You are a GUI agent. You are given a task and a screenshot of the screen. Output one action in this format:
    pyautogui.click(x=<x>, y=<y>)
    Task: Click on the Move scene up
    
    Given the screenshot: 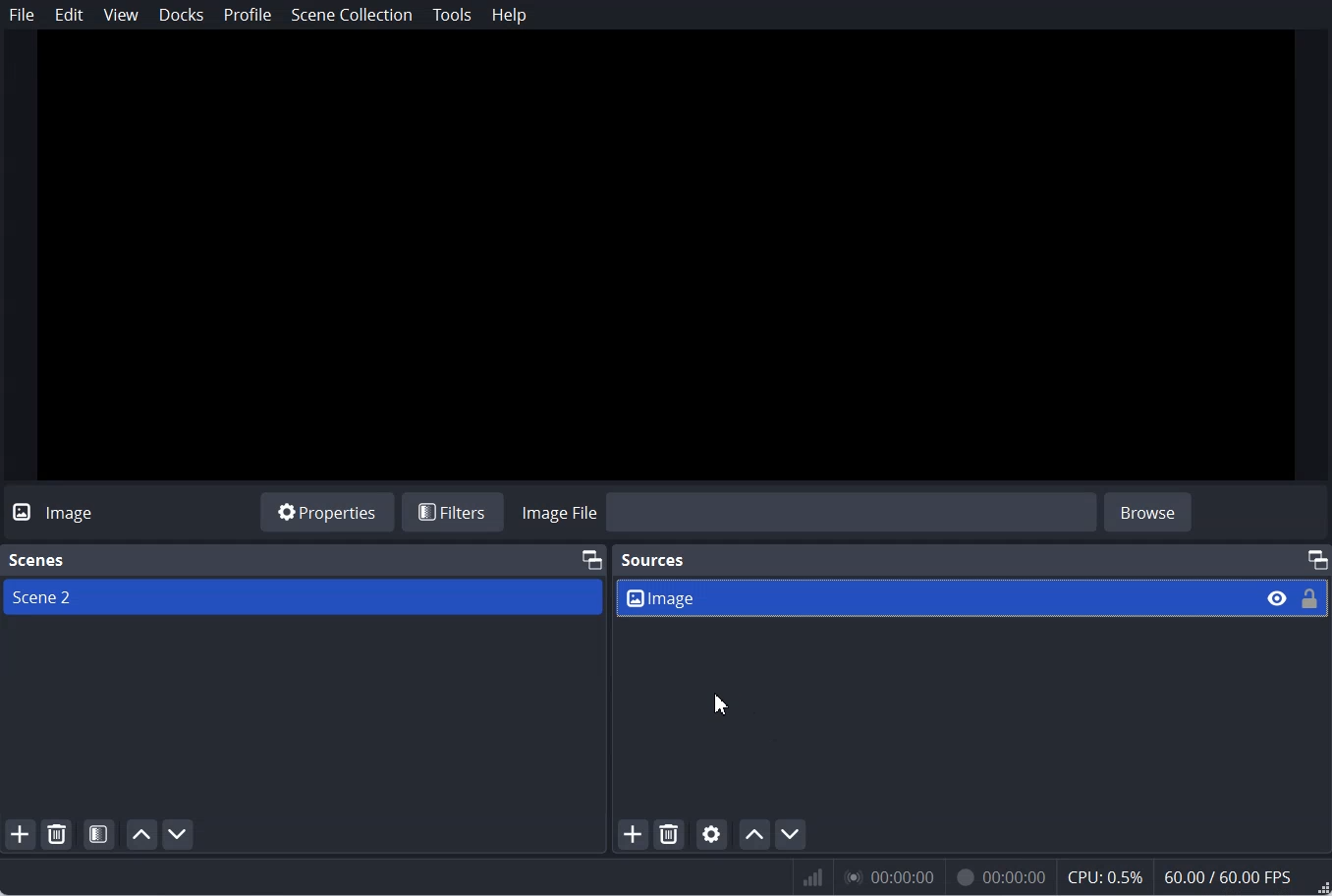 What is the action you would take?
    pyautogui.click(x=141, y=833)
    